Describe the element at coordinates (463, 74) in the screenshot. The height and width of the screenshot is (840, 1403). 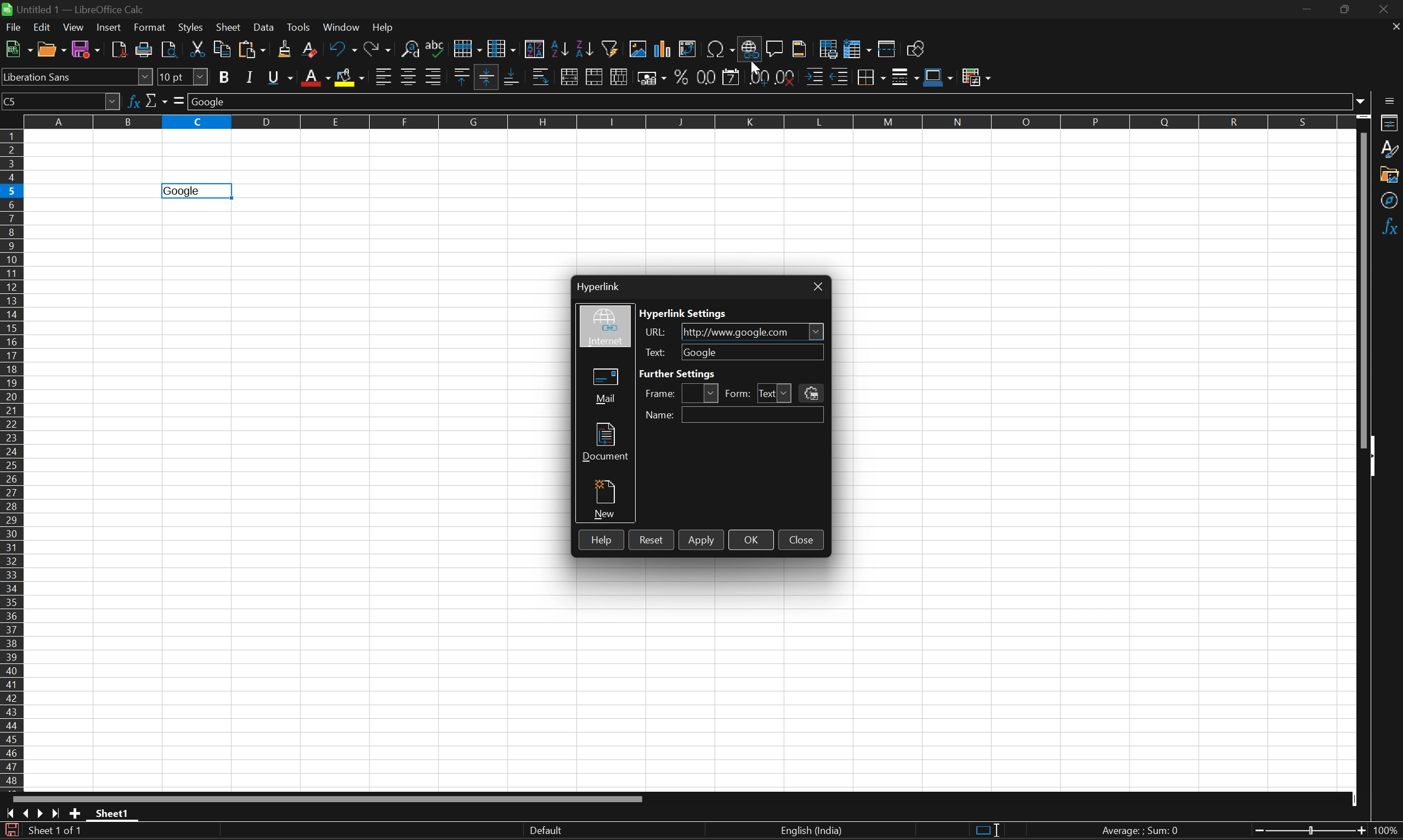
I see `Align top` at that location.